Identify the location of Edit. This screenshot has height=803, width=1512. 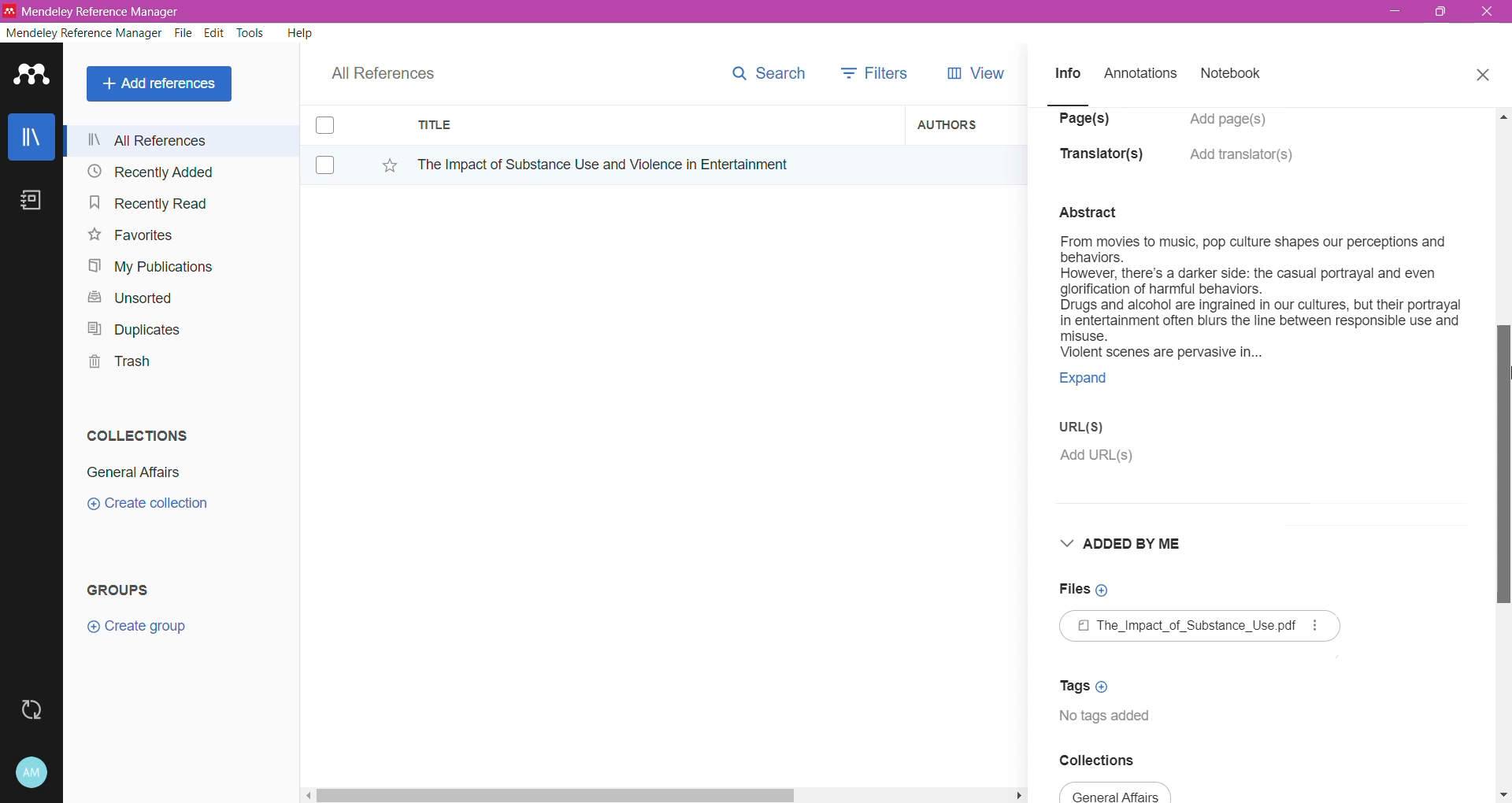
(214, 33).